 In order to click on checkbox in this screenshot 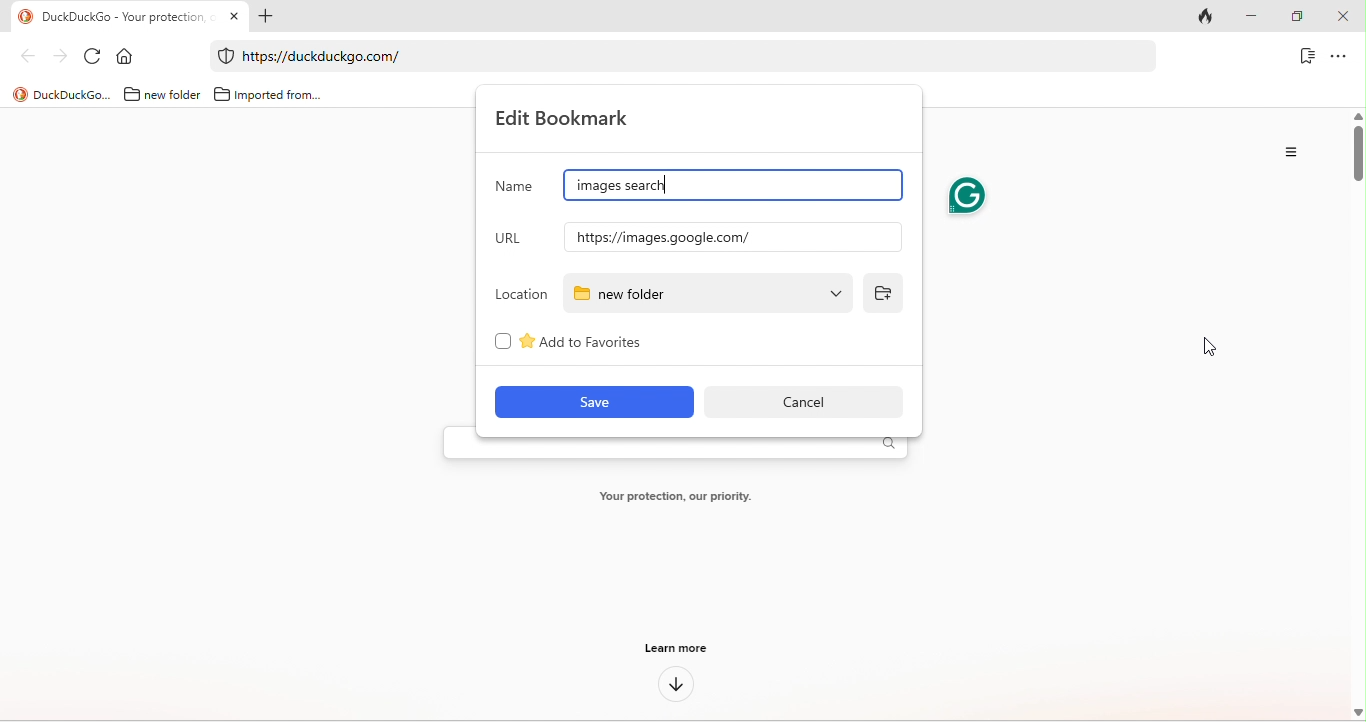, I will do `click(499, 341)`.